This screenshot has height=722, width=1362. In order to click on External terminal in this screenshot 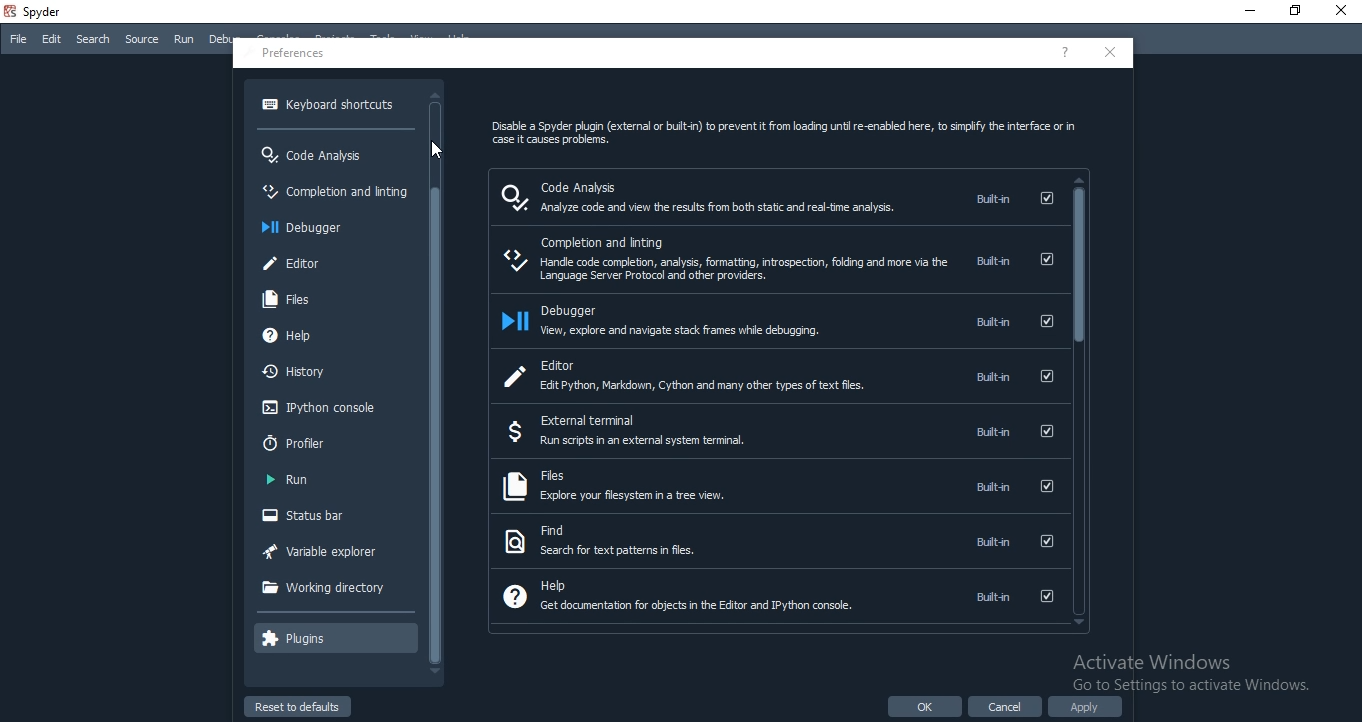, I will do `click(598, 420)`.